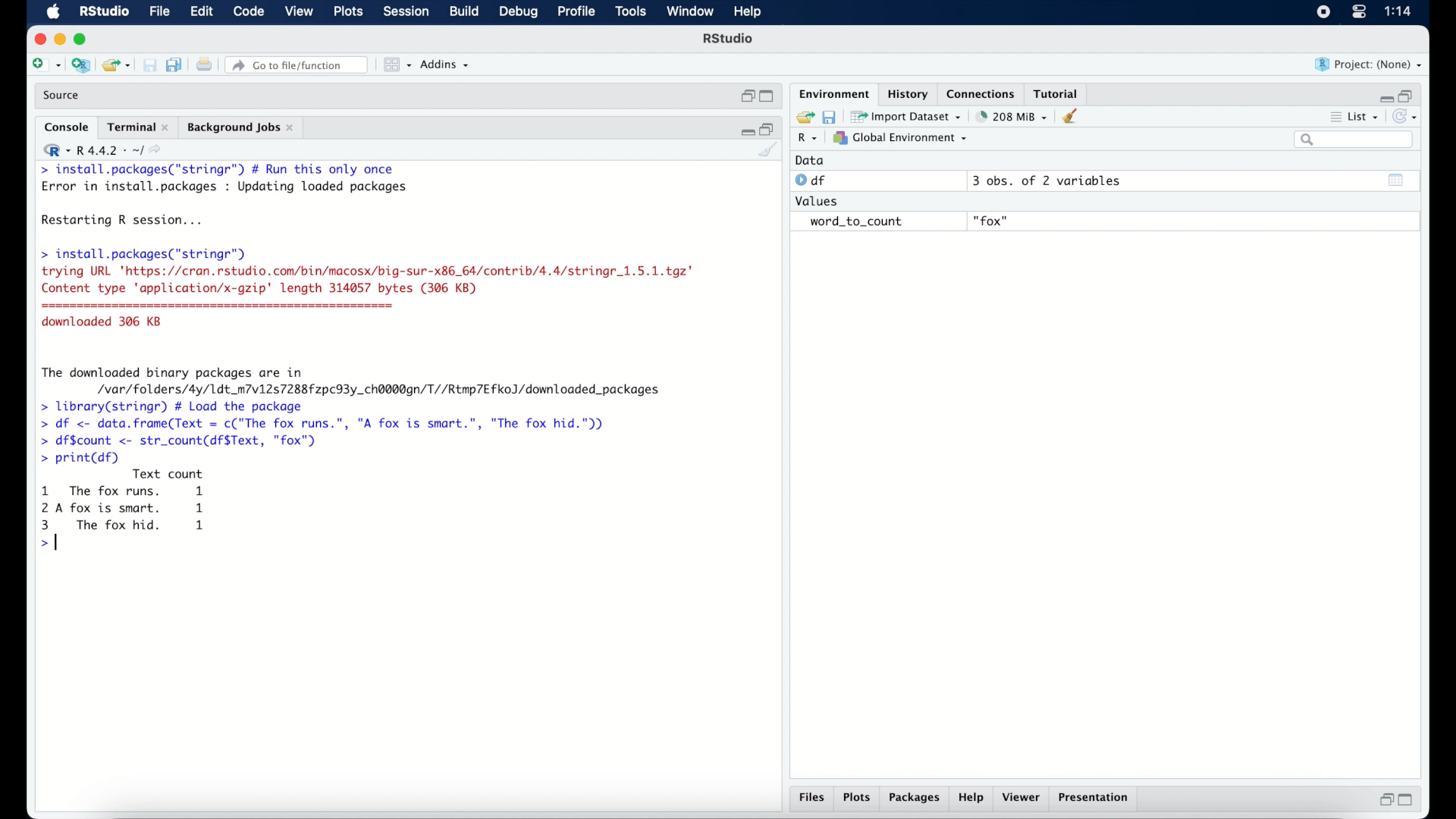 This screenshot has height=819, width=1456. What do you see at coordinates (768, 128) in the screenshot?
I see `restore down` at bounding box center [768, 128].